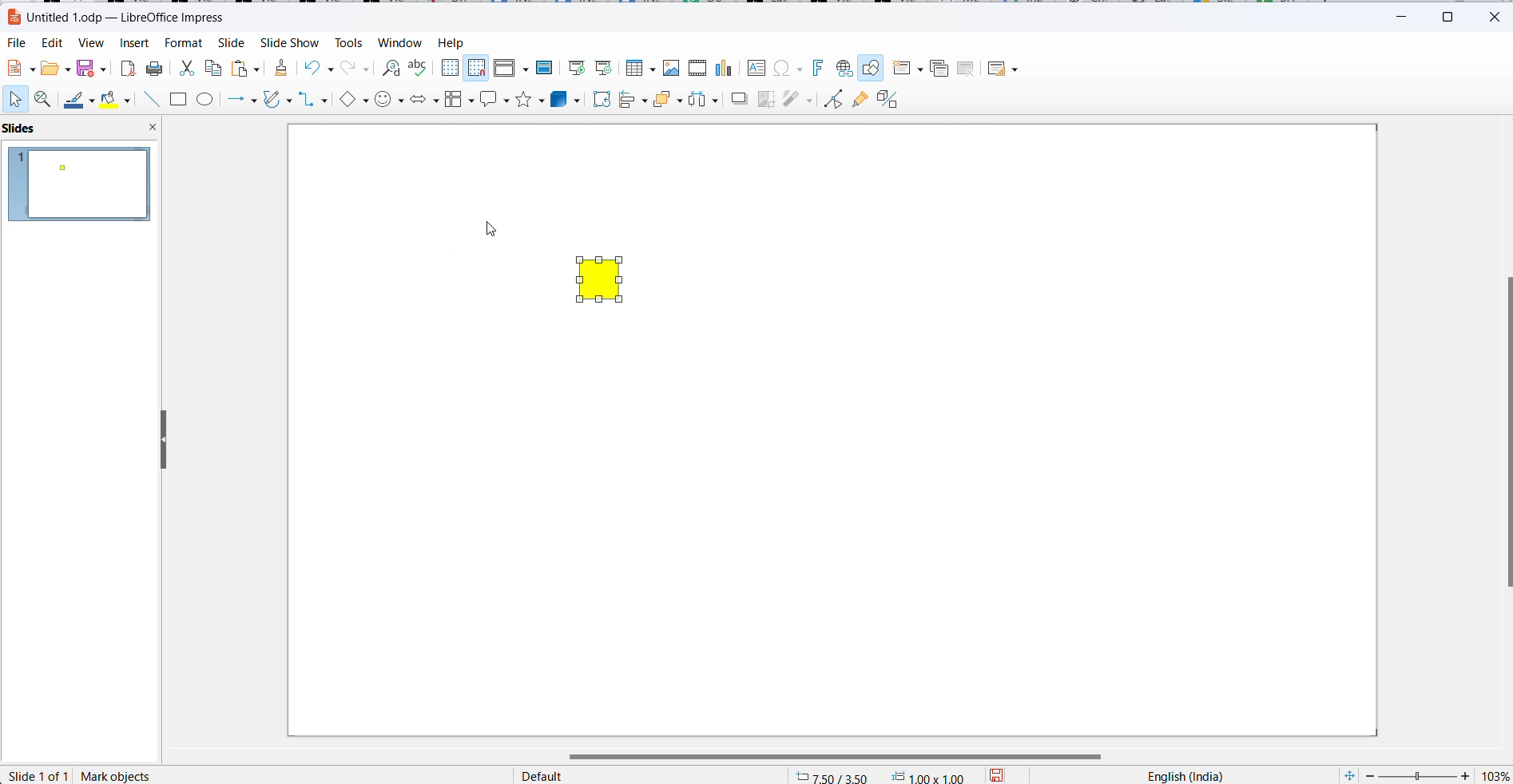 The width and height of the screenshot is (1513, 784). Describe the element at coordinates (495, 98) in the screenshot. I see `callout shapes` at that location.